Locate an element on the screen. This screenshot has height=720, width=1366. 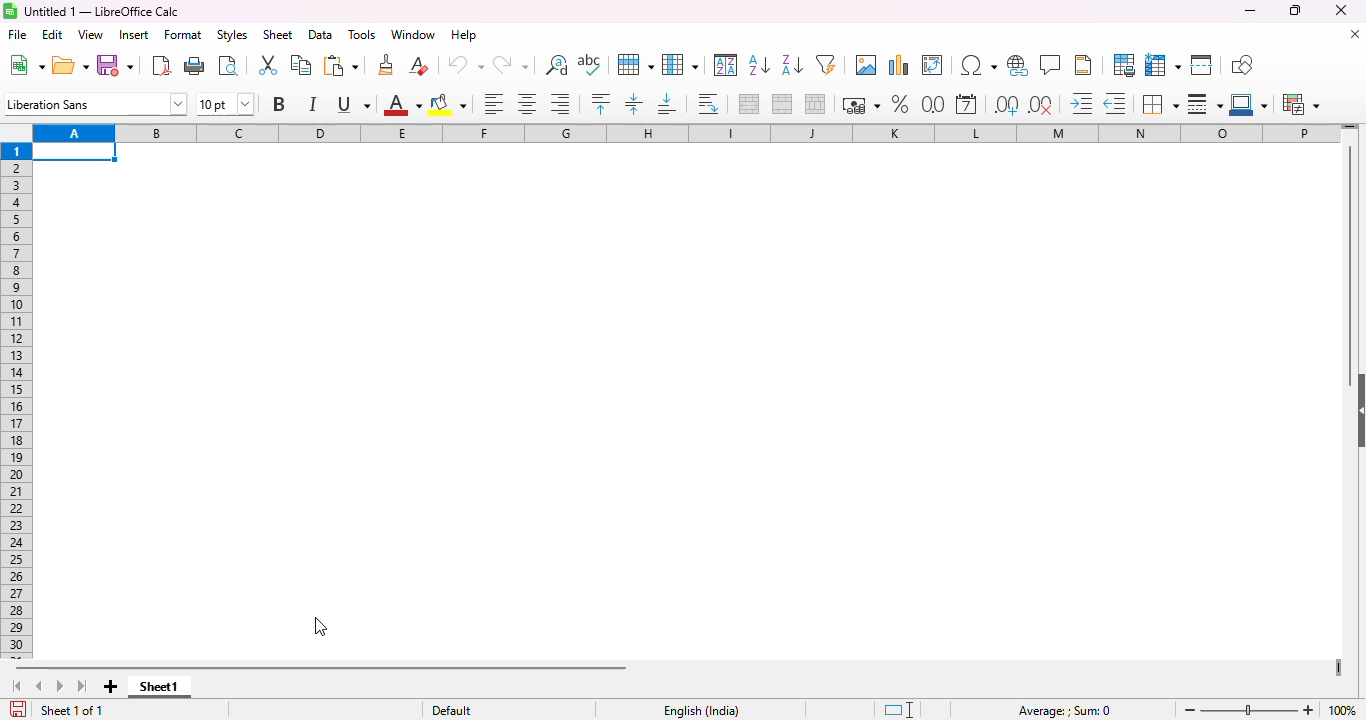
copy is located at coordinates (301, 65).